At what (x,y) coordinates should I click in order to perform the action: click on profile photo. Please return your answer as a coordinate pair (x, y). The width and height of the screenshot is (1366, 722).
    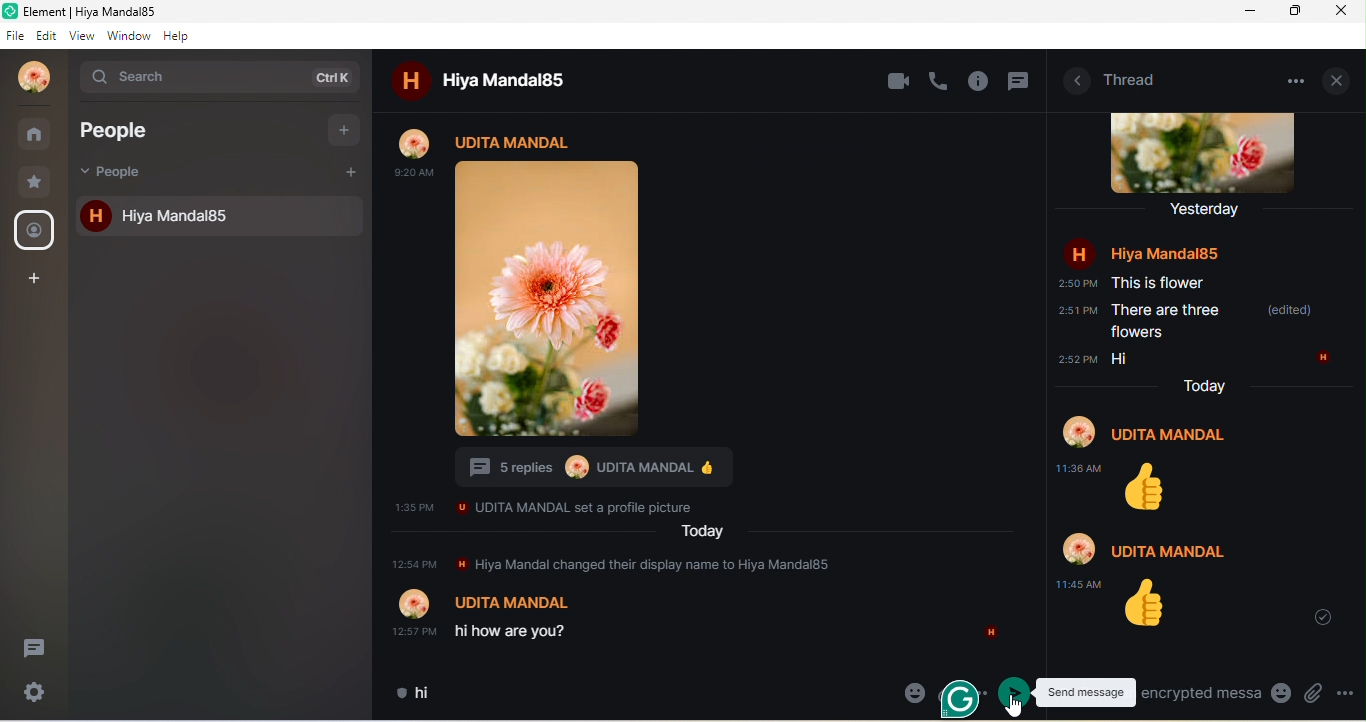
    Looking at the image, I should click on (550, 300).